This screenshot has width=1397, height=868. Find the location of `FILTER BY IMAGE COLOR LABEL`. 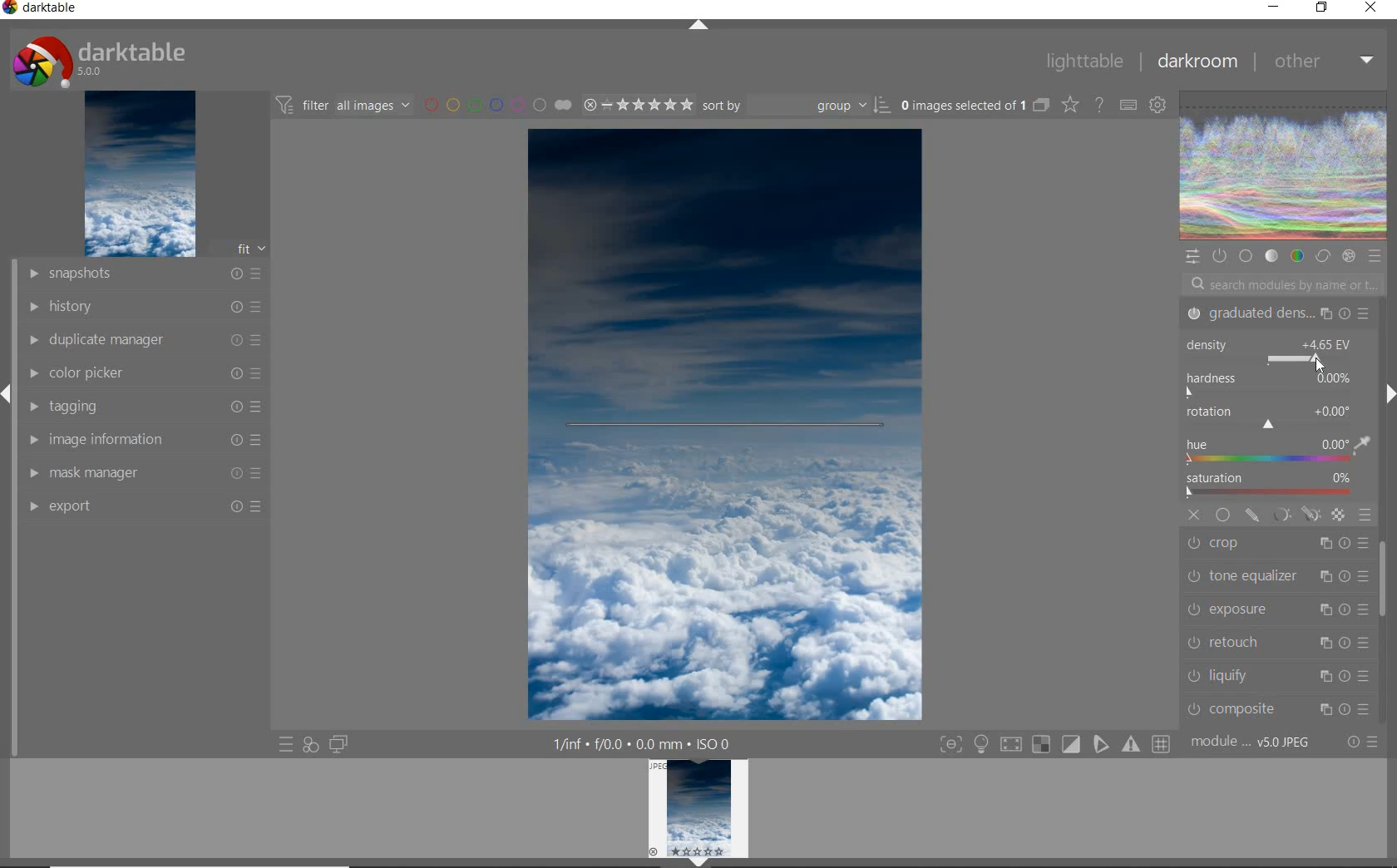

FILTER BY IMAGE COLOR LABEL is located at coordinates (496, 104).